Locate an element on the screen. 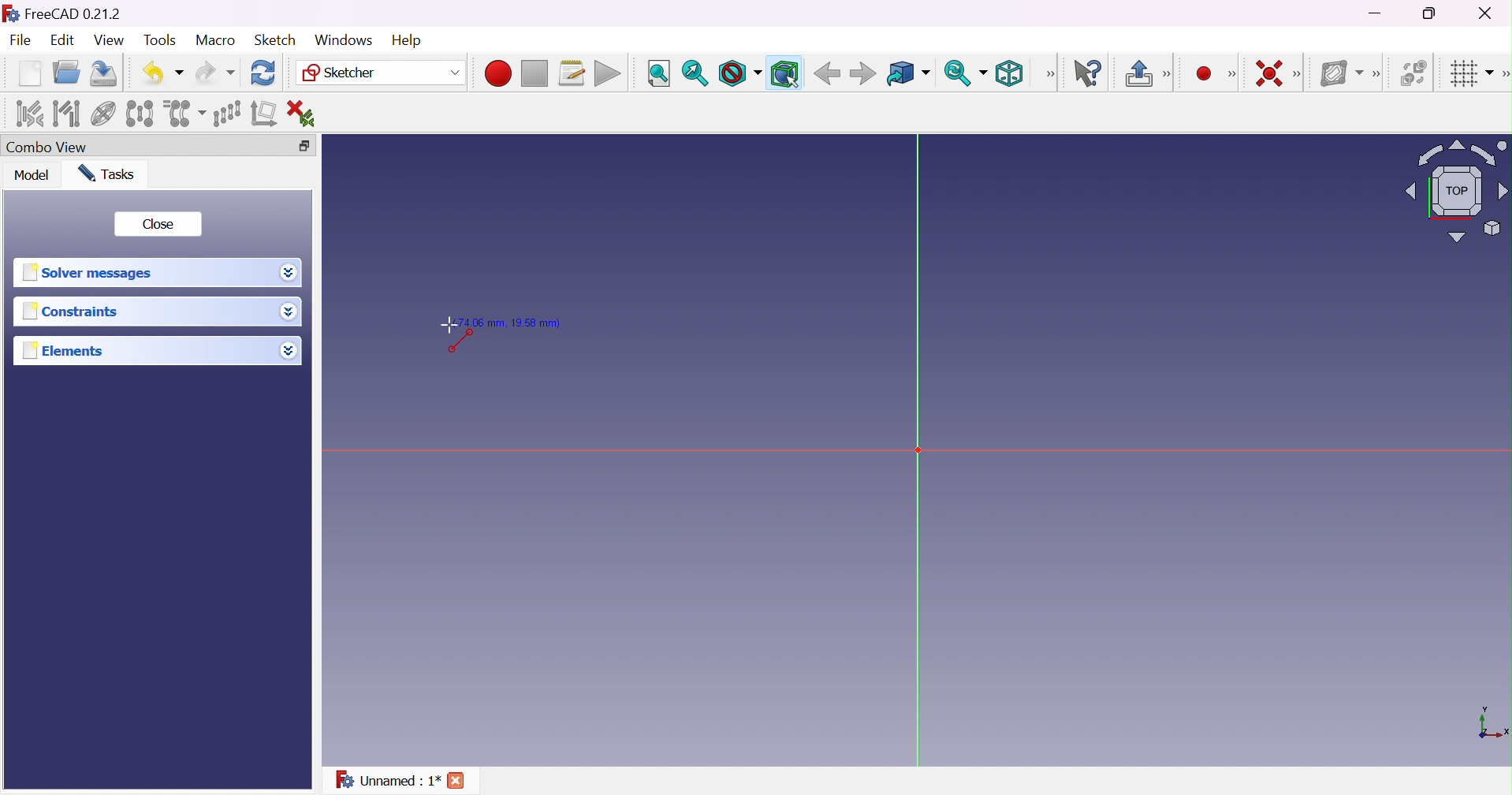 Image resolution: width=1512 pixels, height=795 pixels. x, y plane is located at coordinates (1493, 724).